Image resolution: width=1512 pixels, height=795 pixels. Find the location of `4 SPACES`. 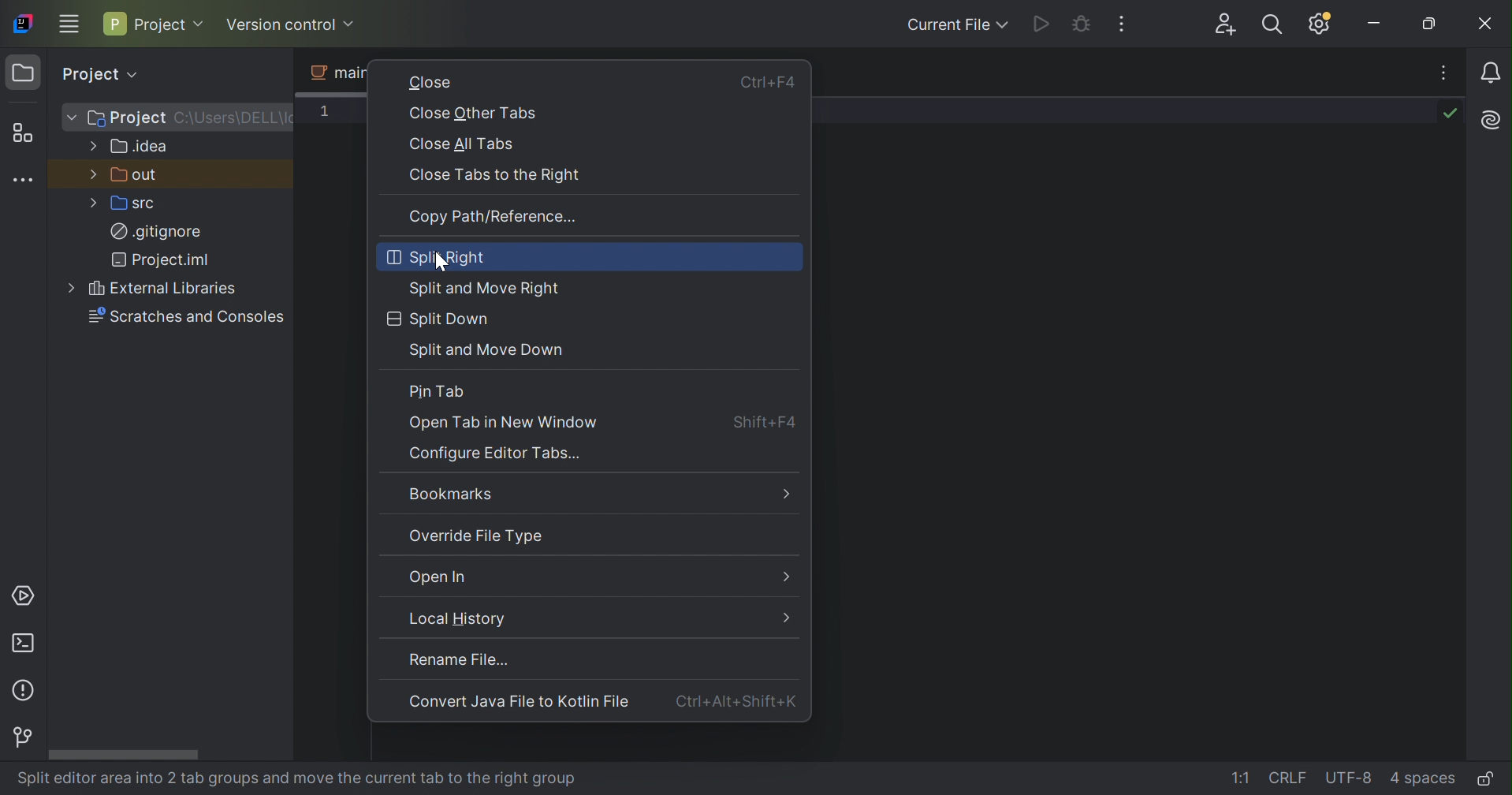

4 SPACES is located at coordinates (1423, 778).